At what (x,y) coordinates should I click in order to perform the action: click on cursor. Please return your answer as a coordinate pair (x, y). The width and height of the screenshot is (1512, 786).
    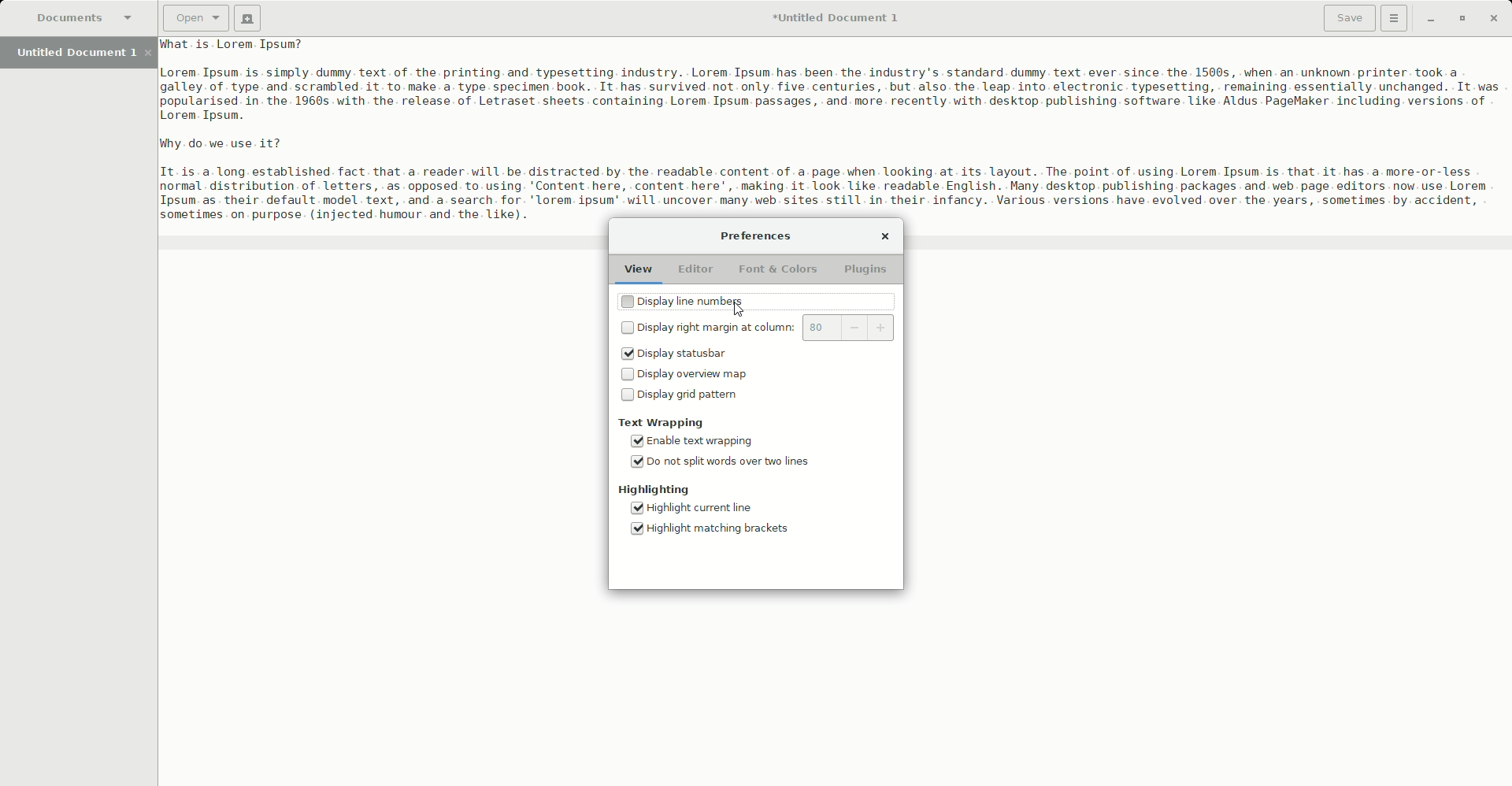
    Looking at the image, I should click on (747, 316).